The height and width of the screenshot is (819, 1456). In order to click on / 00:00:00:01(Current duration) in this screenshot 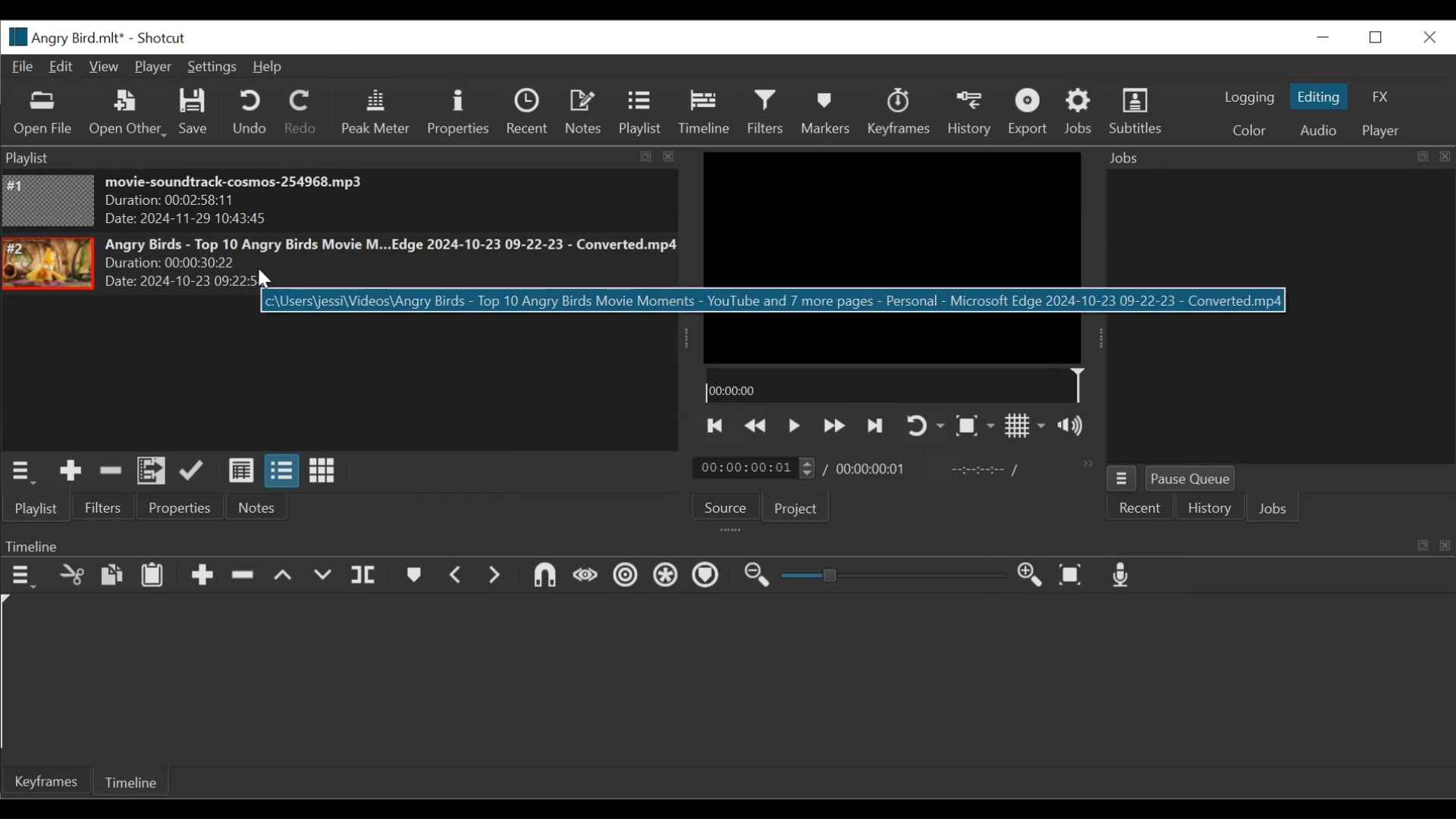, I will do `click(748, 467)`.